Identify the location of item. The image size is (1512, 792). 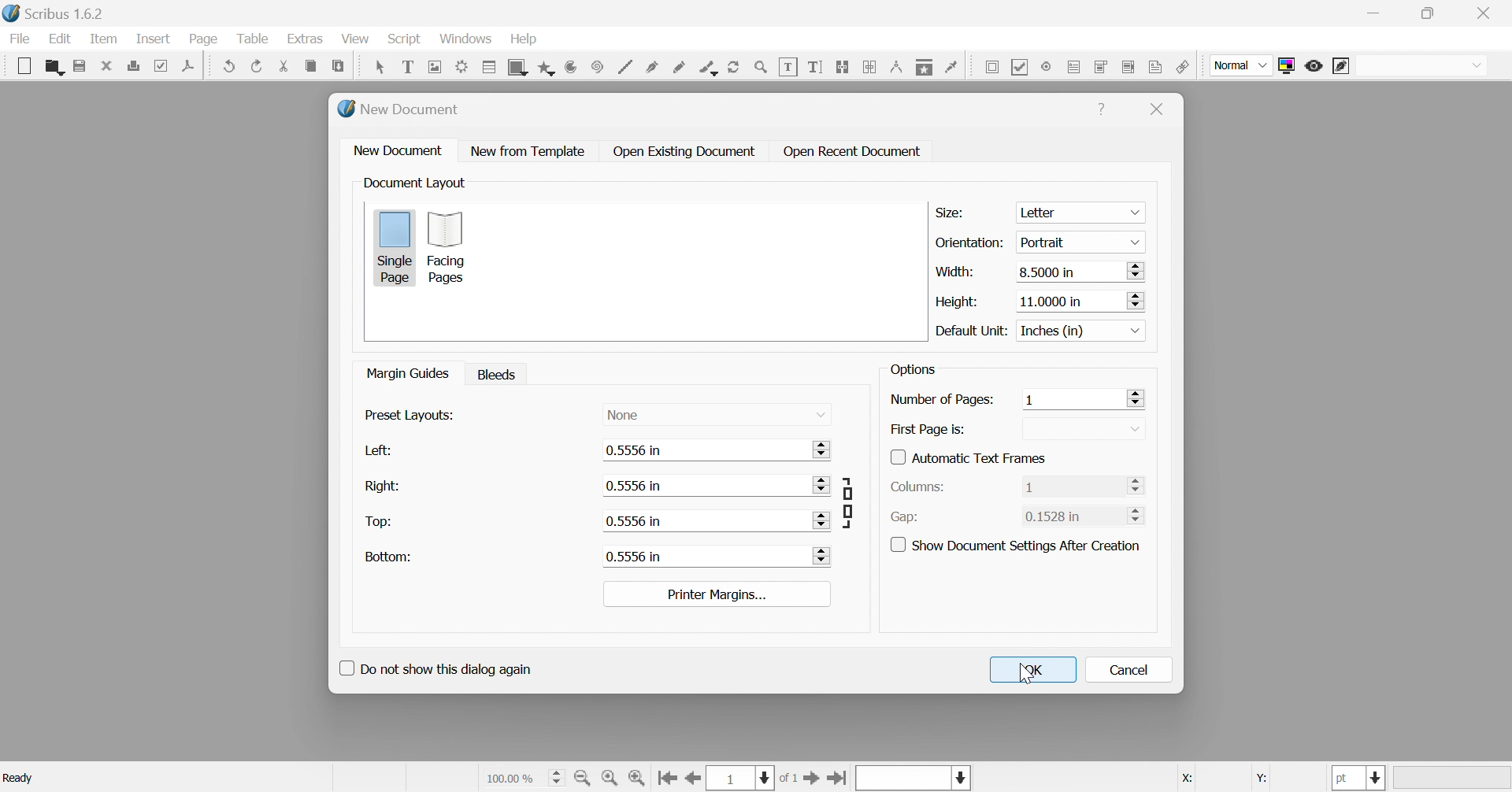
(103, 39).